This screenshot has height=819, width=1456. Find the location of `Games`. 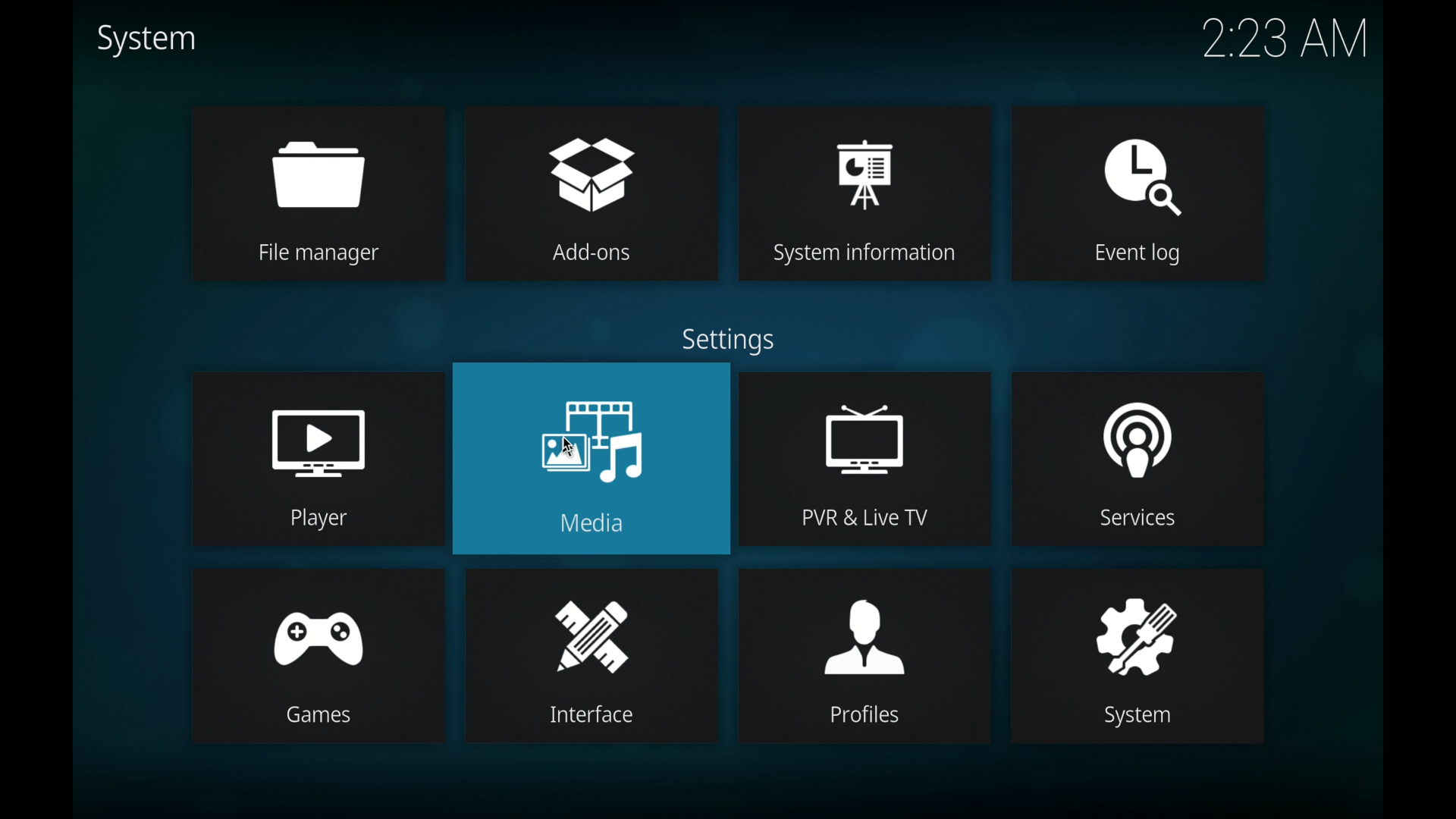

Games is located at coordinates (322, 717).